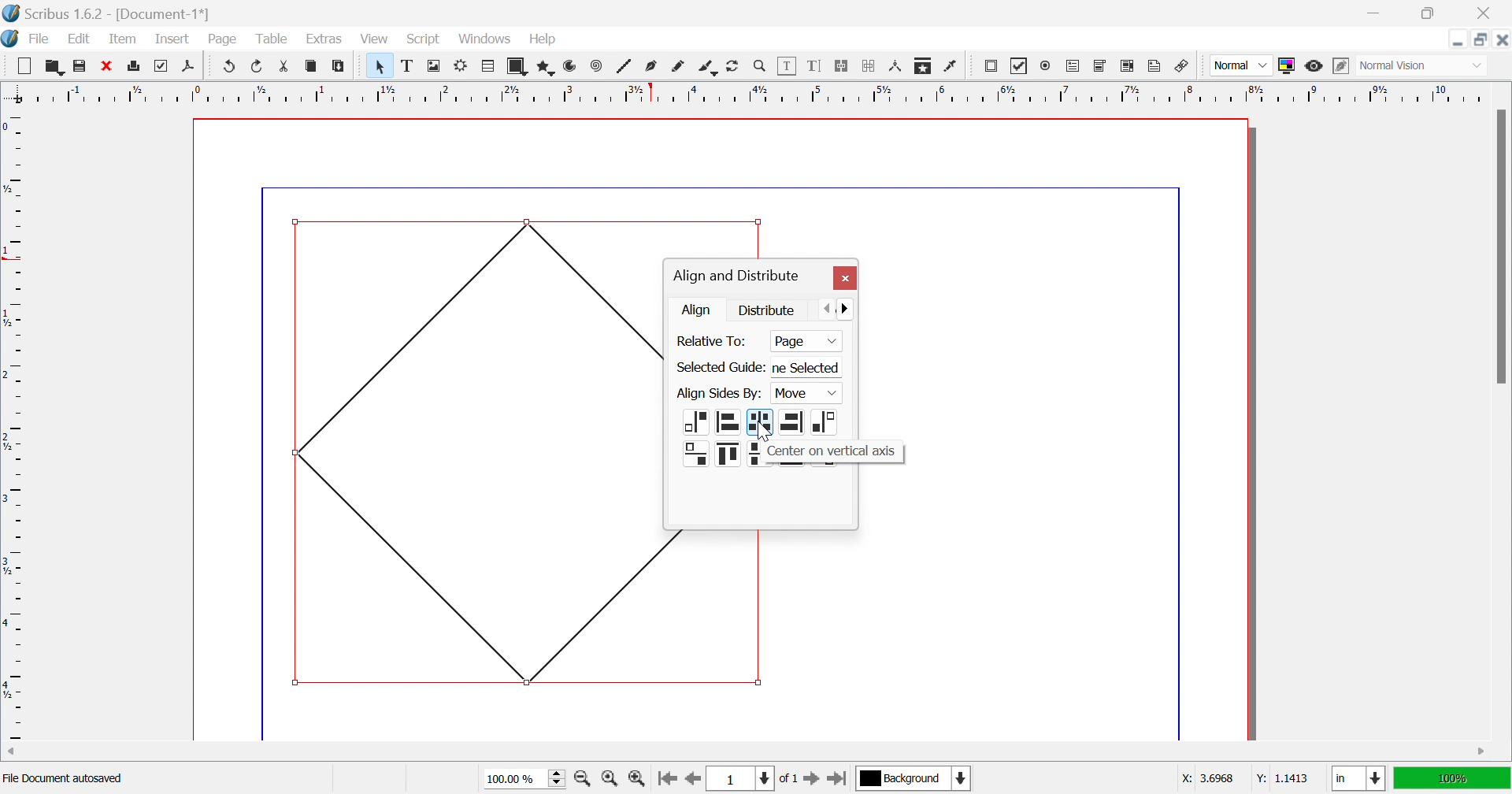  Describe the element at coordinates (135, 66) in the screenshot. I see `Print` at that location.